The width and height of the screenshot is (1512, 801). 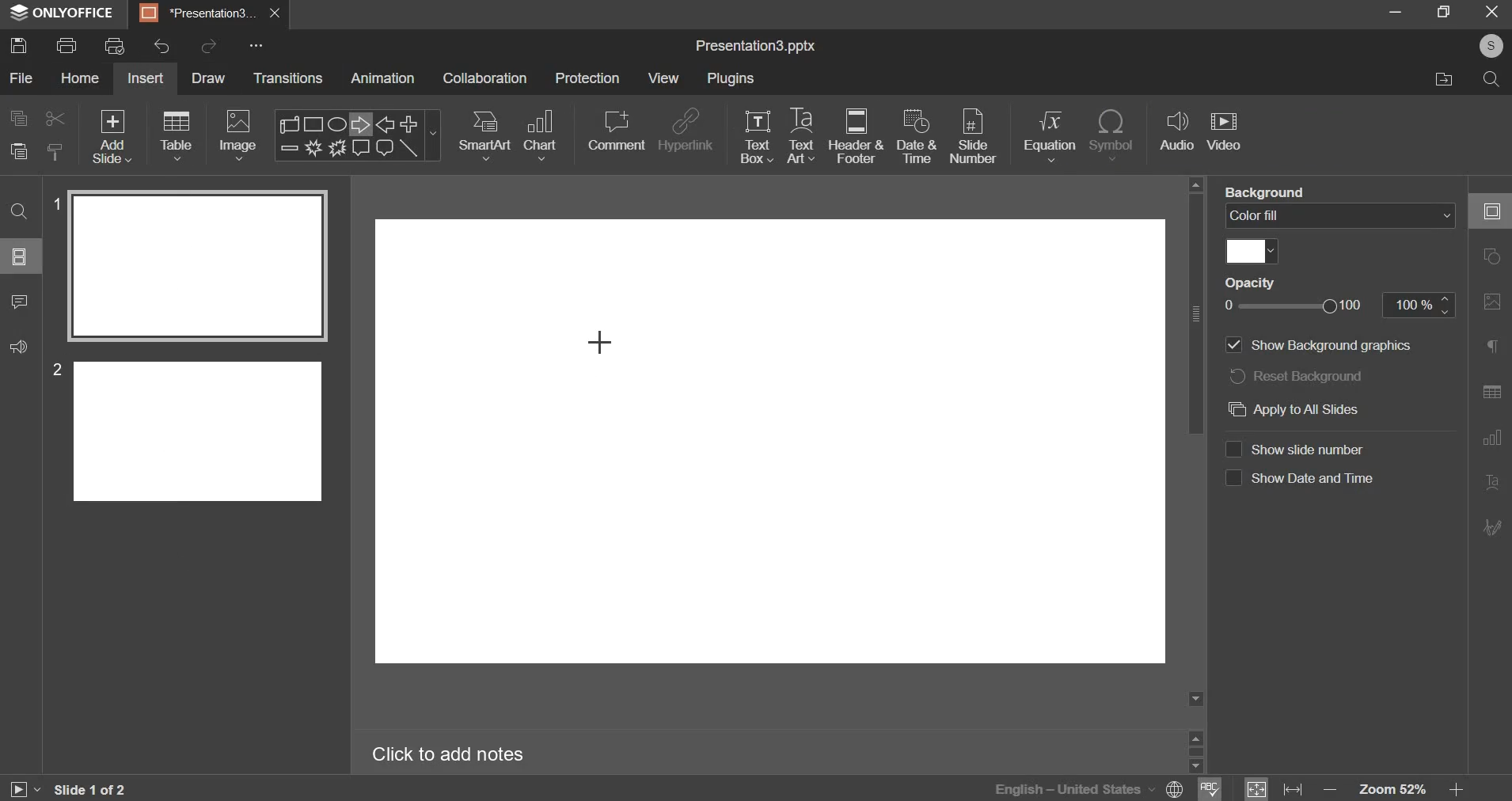 What do you see at coordinates (212, 80) in the screenshot?
I see `draw` at bounding box center [212, 80].